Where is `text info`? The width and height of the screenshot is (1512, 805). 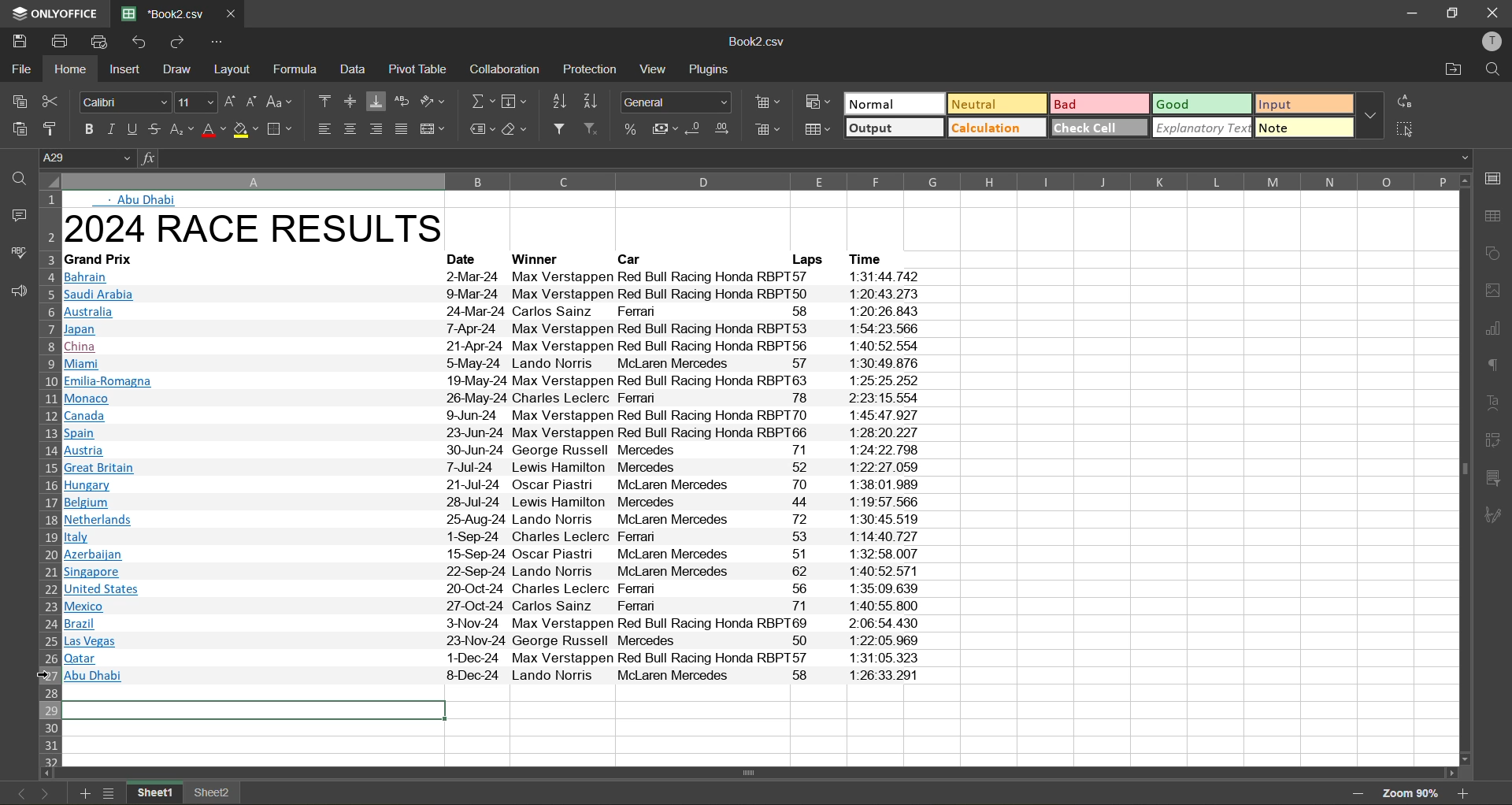 text info is located at coordinates (490, 640).